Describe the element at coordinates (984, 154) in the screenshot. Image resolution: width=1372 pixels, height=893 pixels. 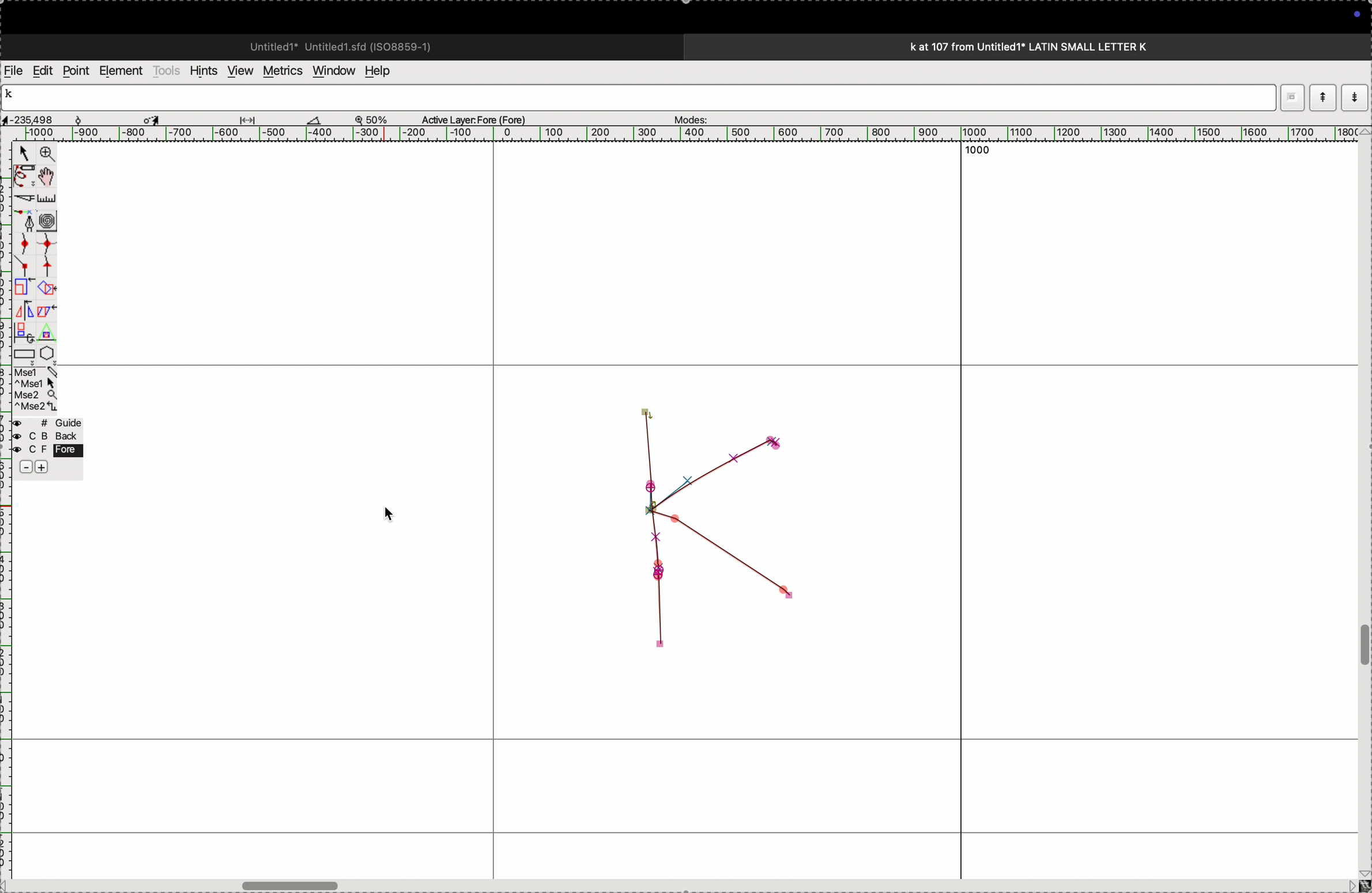
I see `1000` at that location.